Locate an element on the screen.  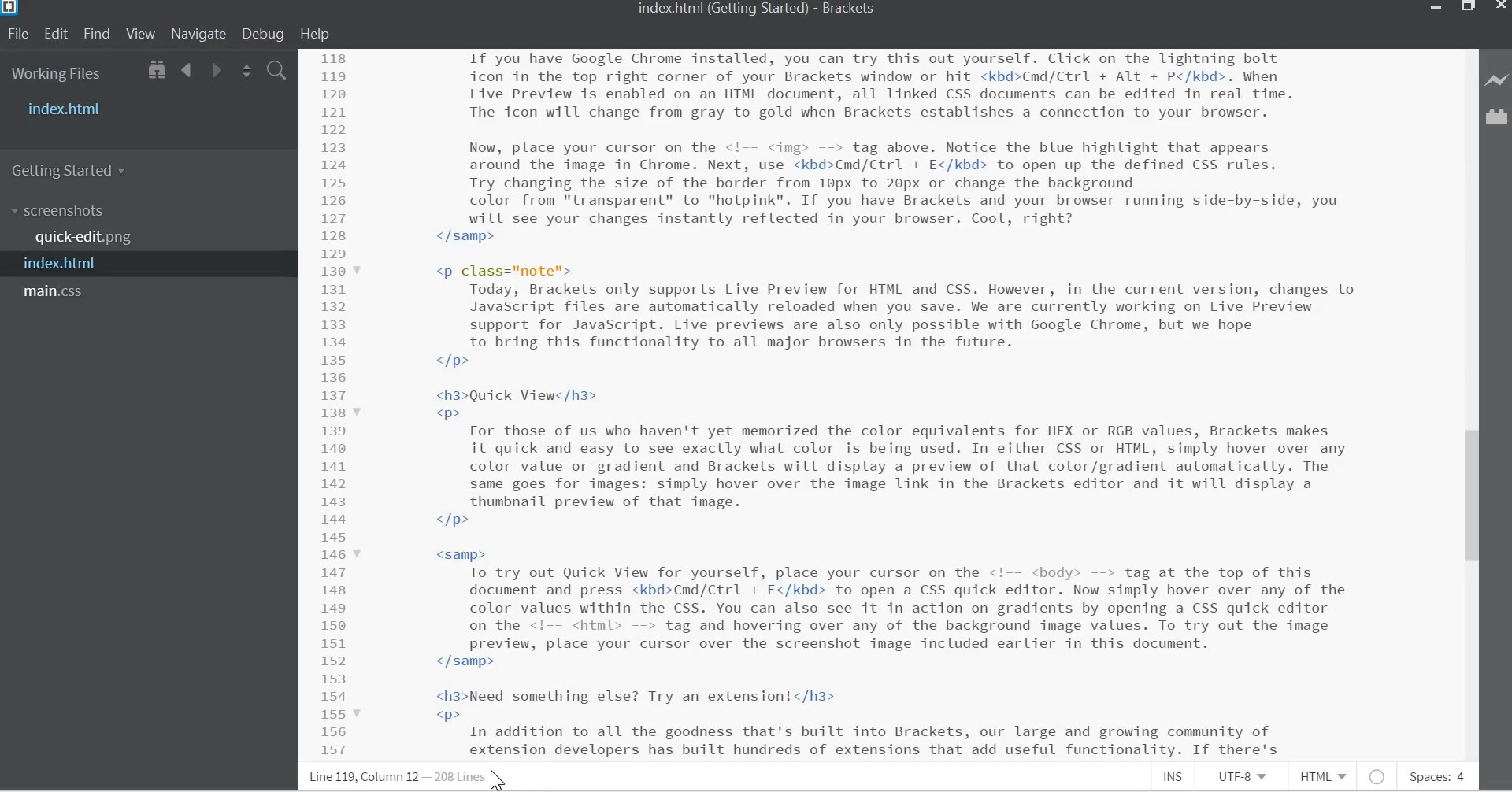
View is located at coordinates (140, 35).